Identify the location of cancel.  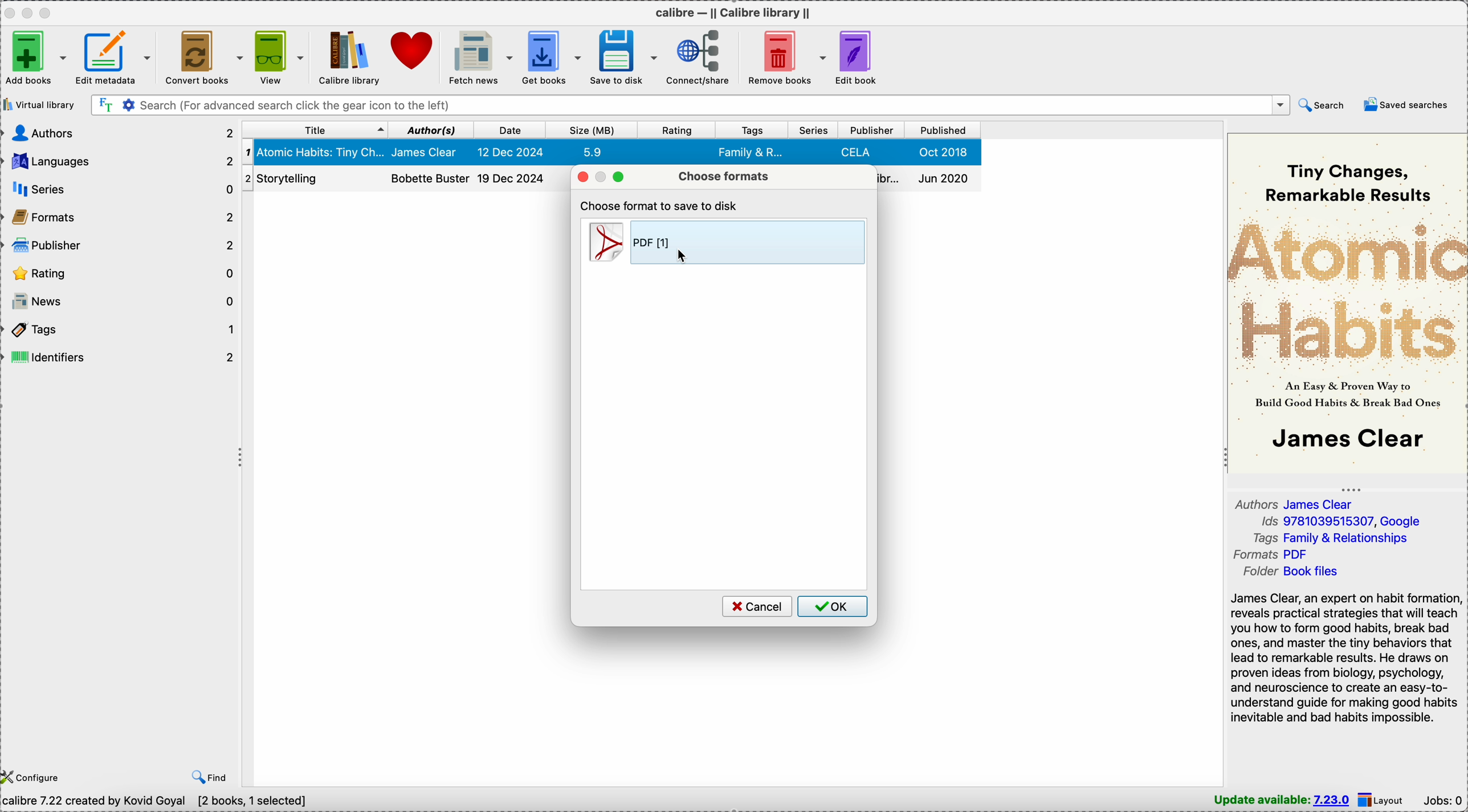
(755, 606).